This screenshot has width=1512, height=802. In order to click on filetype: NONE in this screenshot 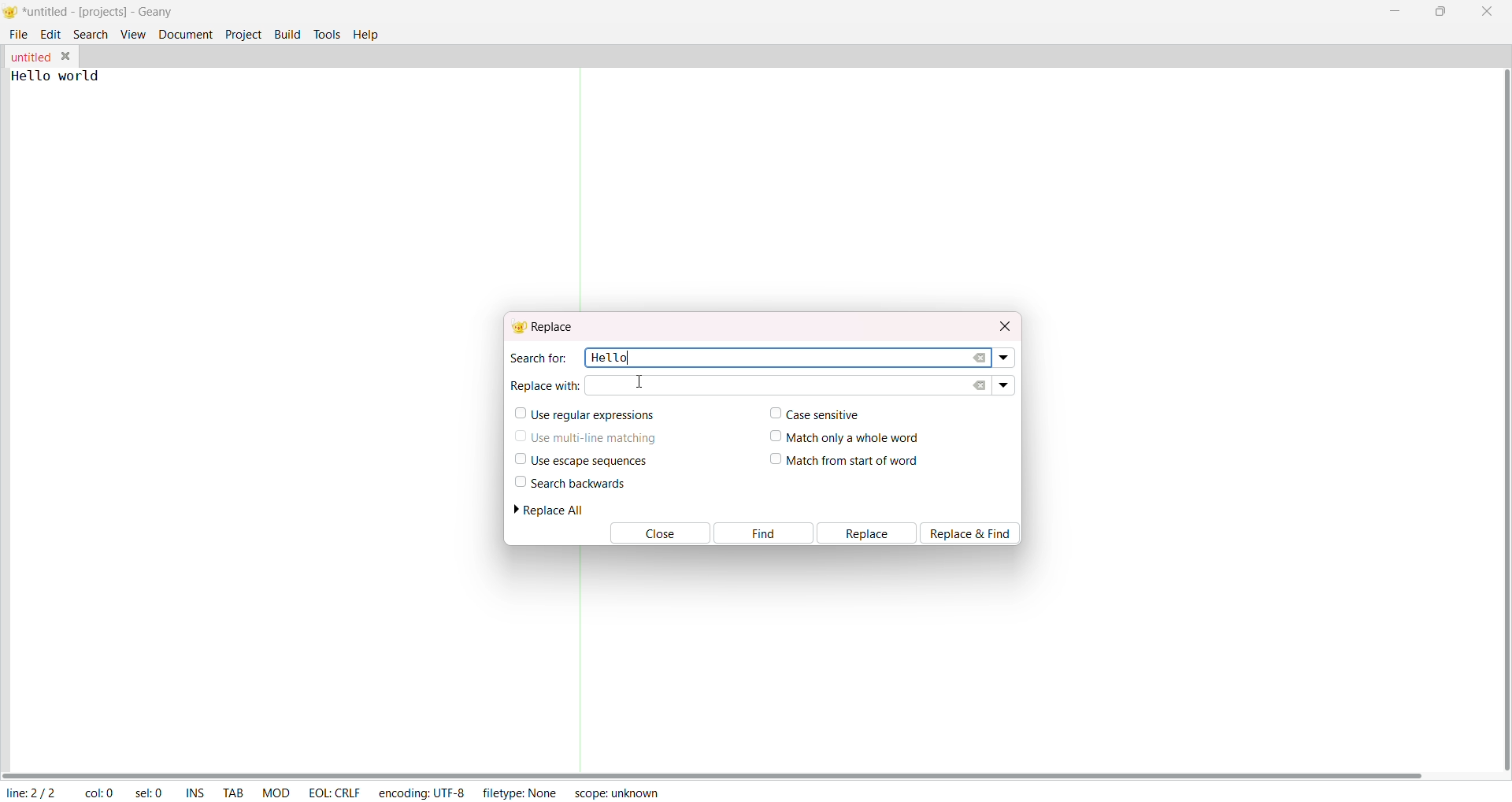, I will do `click(520, 792)`.